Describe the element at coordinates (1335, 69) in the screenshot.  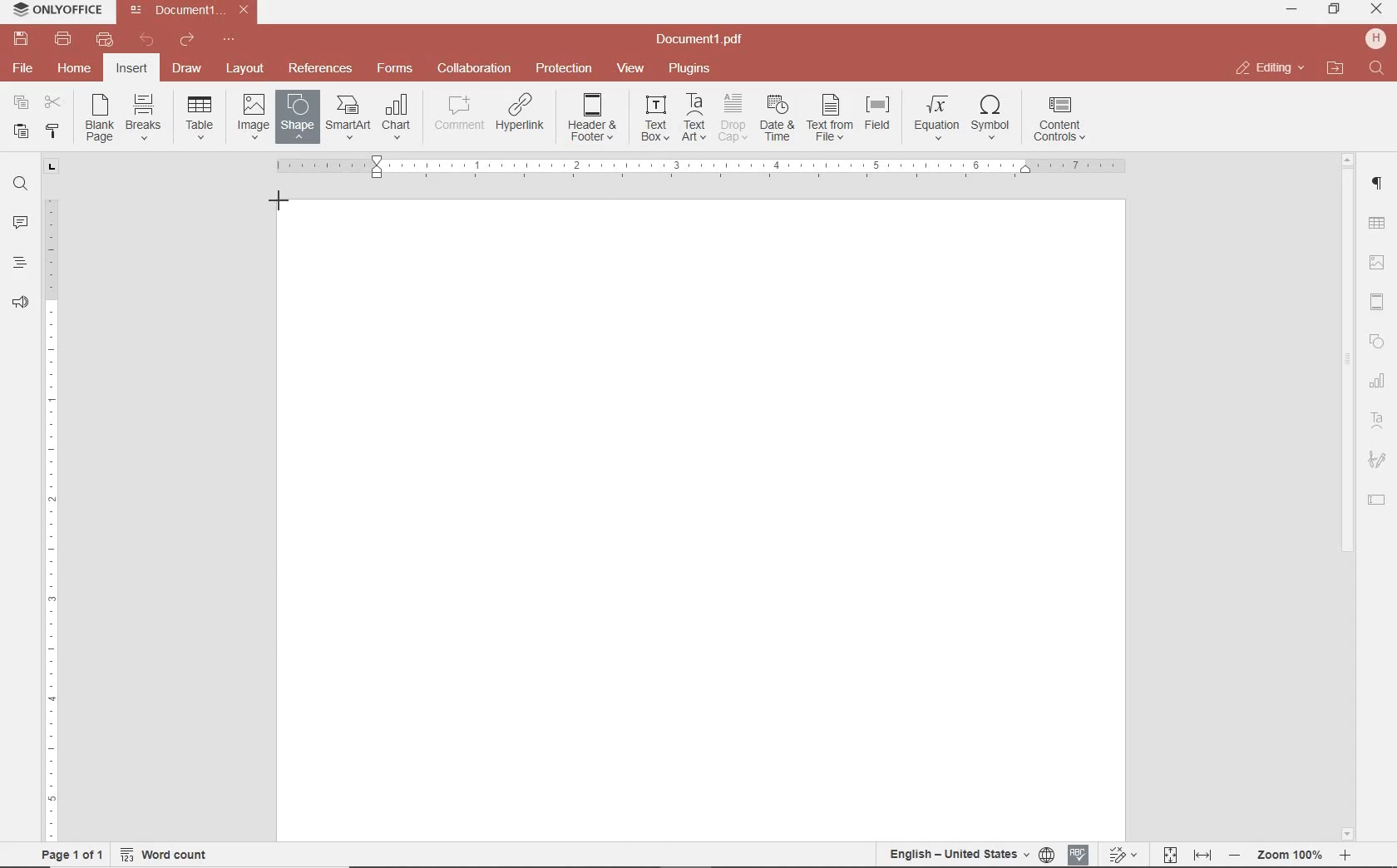
I see `open file location` at that location.